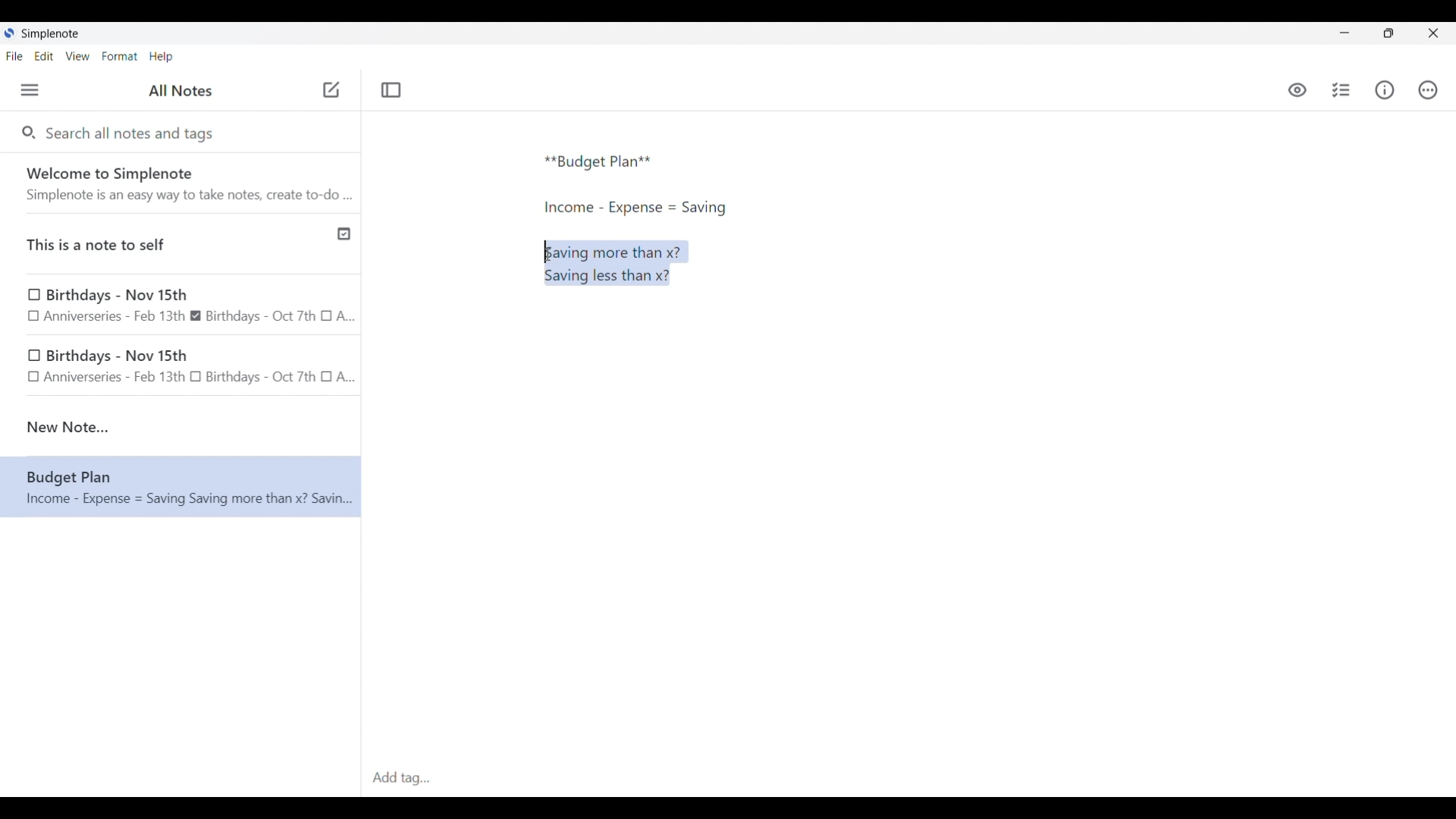 This screenshot has width=1456, height=819. Describe the element at coordinates (598, 162) in the screenshot. I see `Text typed in` at that location.